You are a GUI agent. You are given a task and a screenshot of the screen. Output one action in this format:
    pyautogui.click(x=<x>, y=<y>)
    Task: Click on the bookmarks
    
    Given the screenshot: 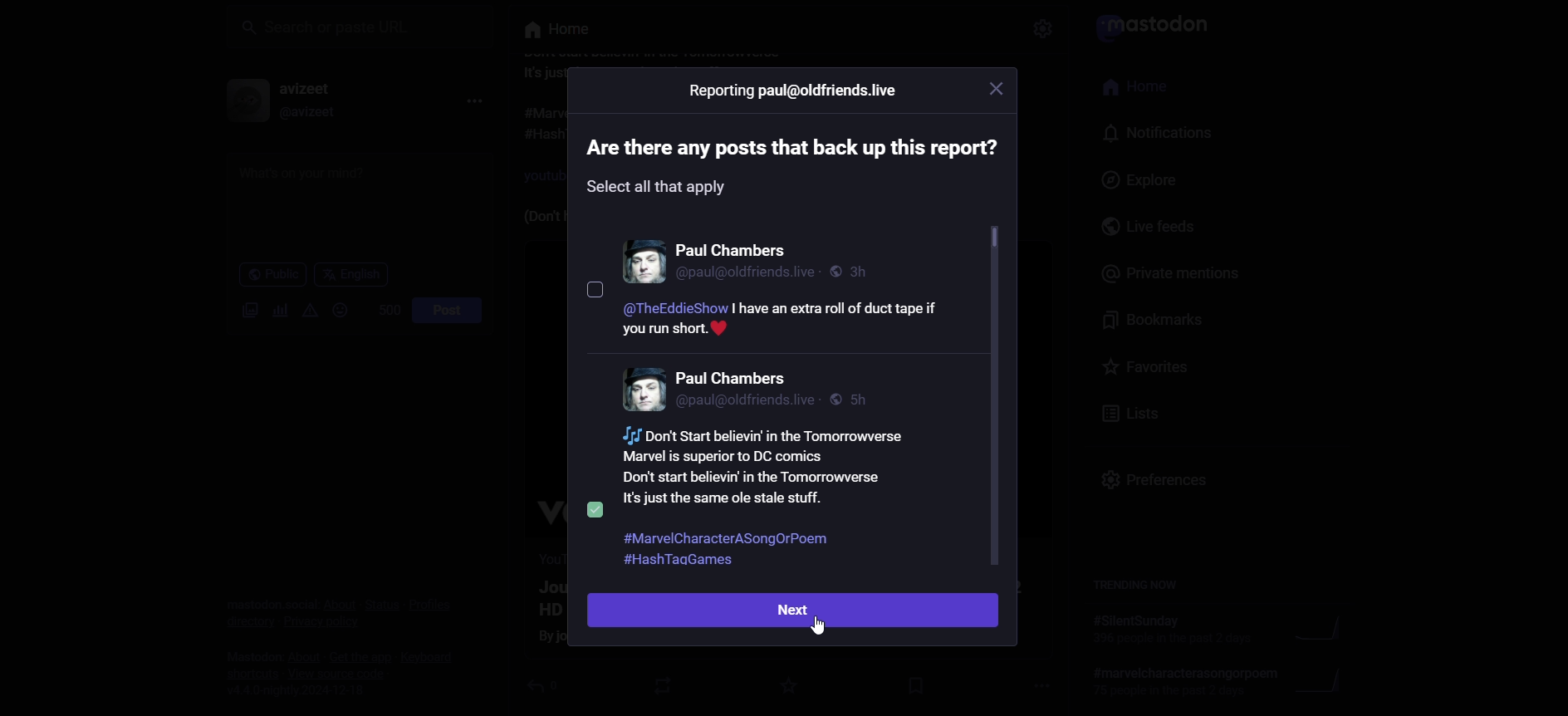 What is the action you would take?
    pyautogui.click(x=1162, y=319)
    